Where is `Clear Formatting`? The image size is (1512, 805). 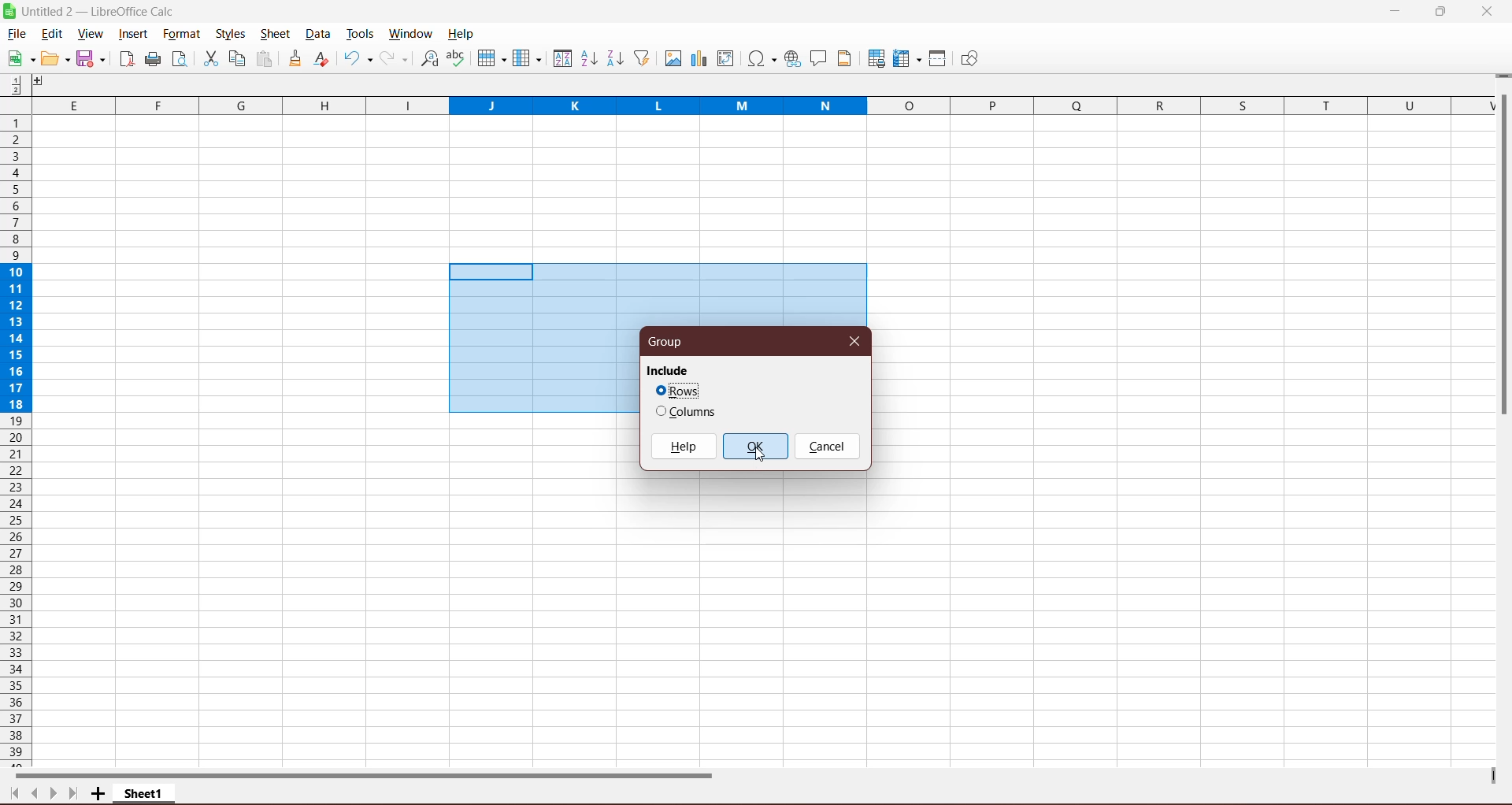 Clear Formatting is located at coordinates (323, 59).